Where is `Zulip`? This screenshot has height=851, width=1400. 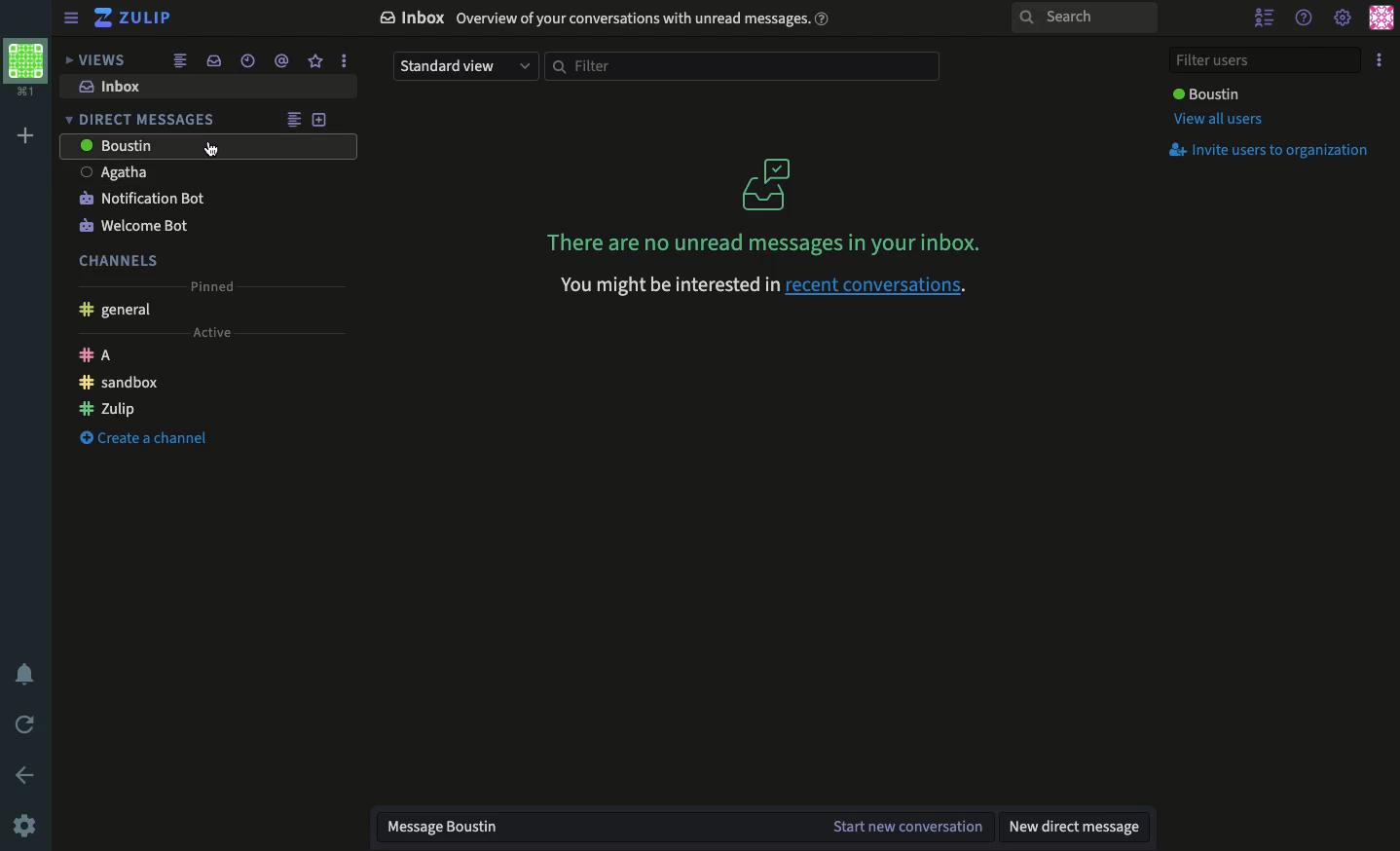
Zulip is located at coordinates (133, 18).